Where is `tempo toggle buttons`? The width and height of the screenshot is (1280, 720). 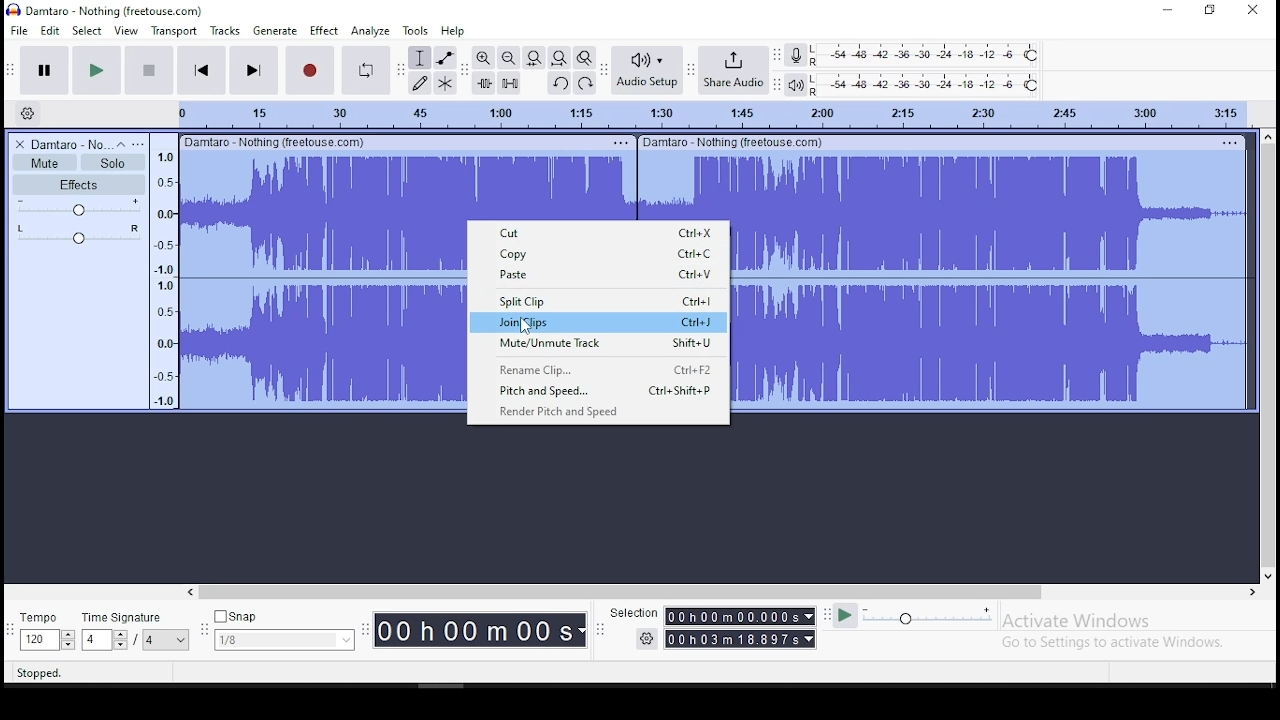 tempo toggle buttons is located at coordinates (48, 640).